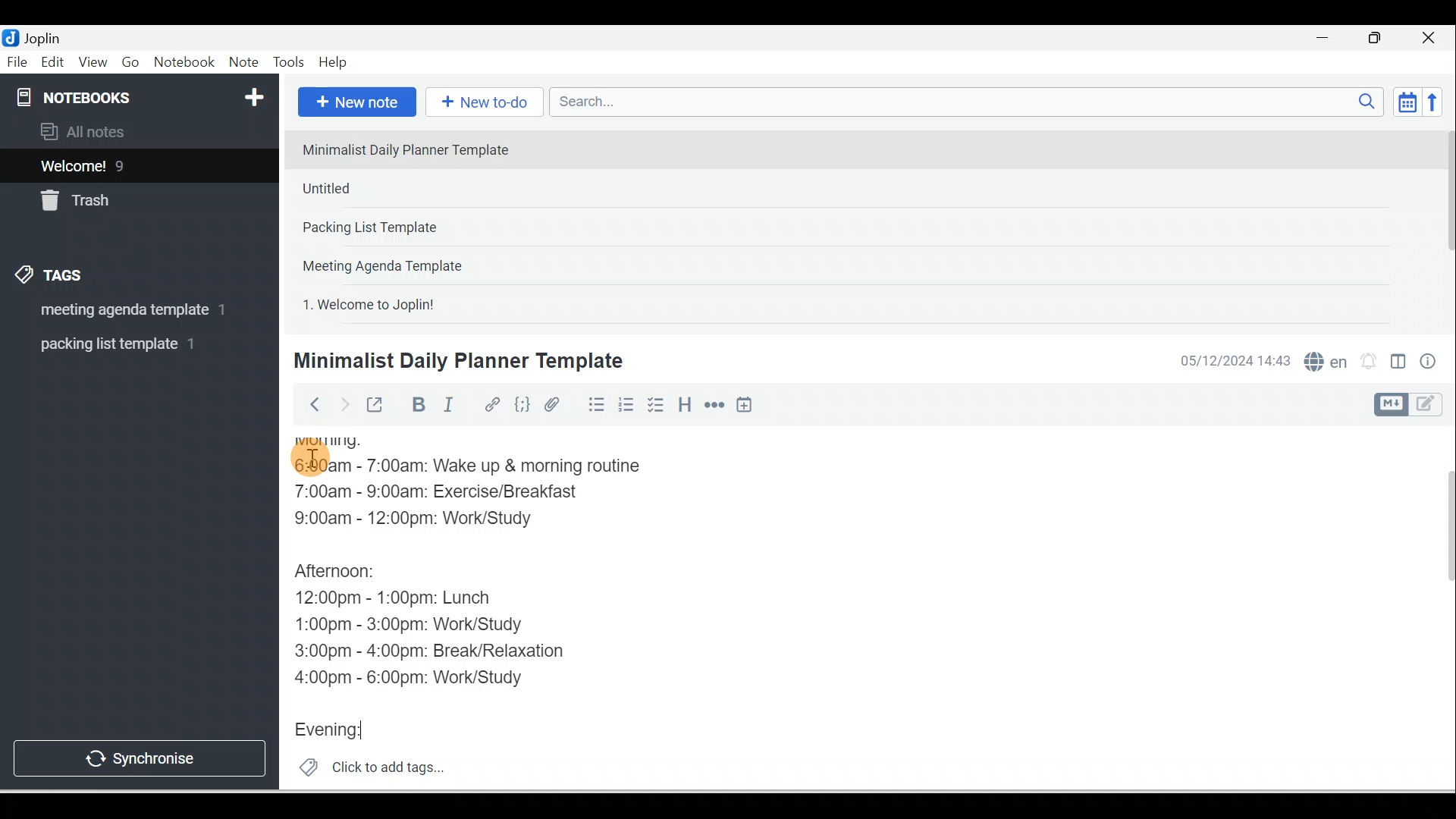  What do you see at coordinates (409, 623) in the screenshot?
I see `1:00pm - 3:00pm: Work/Study` at bounding box center [409, 623].